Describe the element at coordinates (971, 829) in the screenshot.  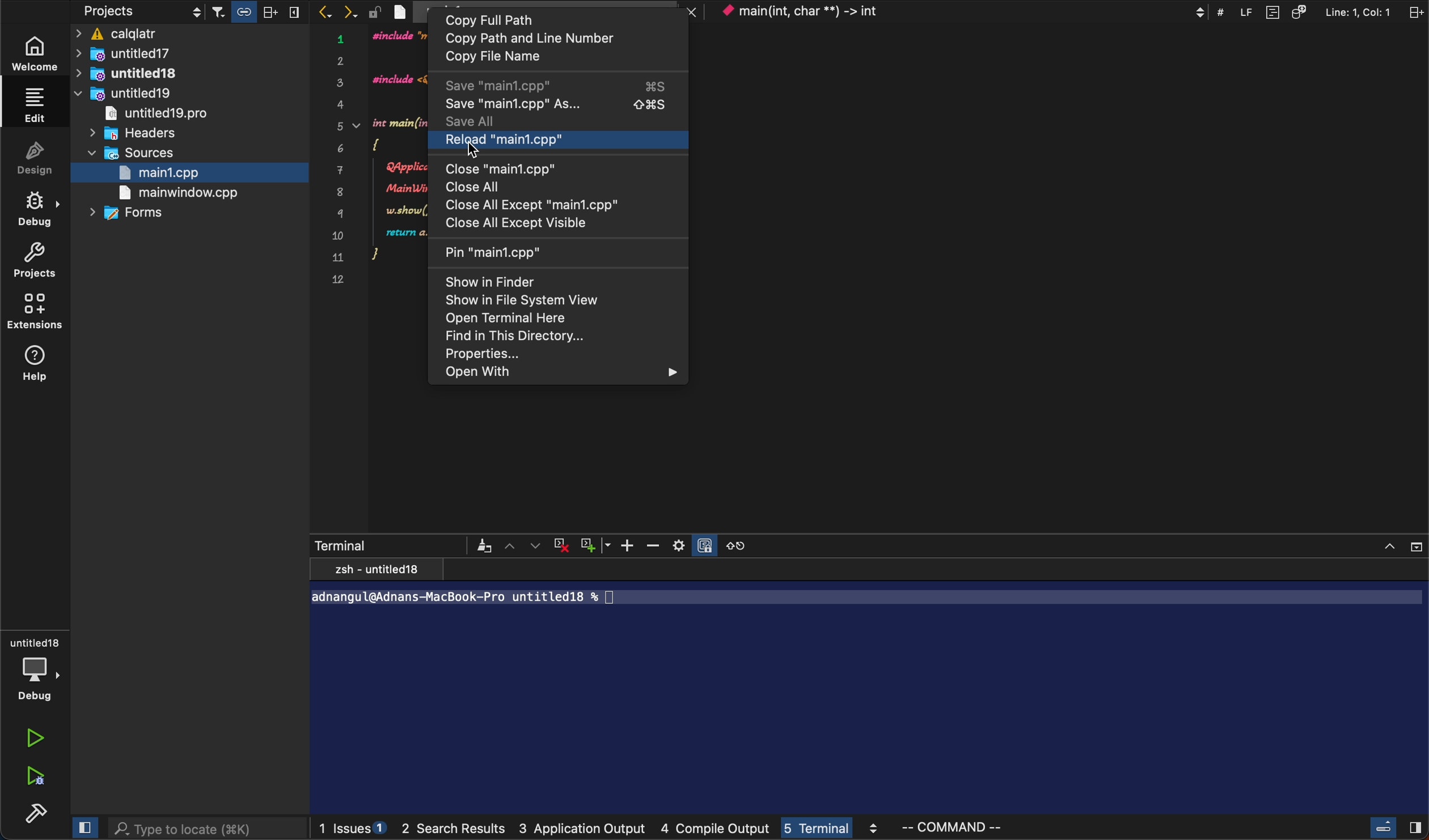
I see `command` at that location.